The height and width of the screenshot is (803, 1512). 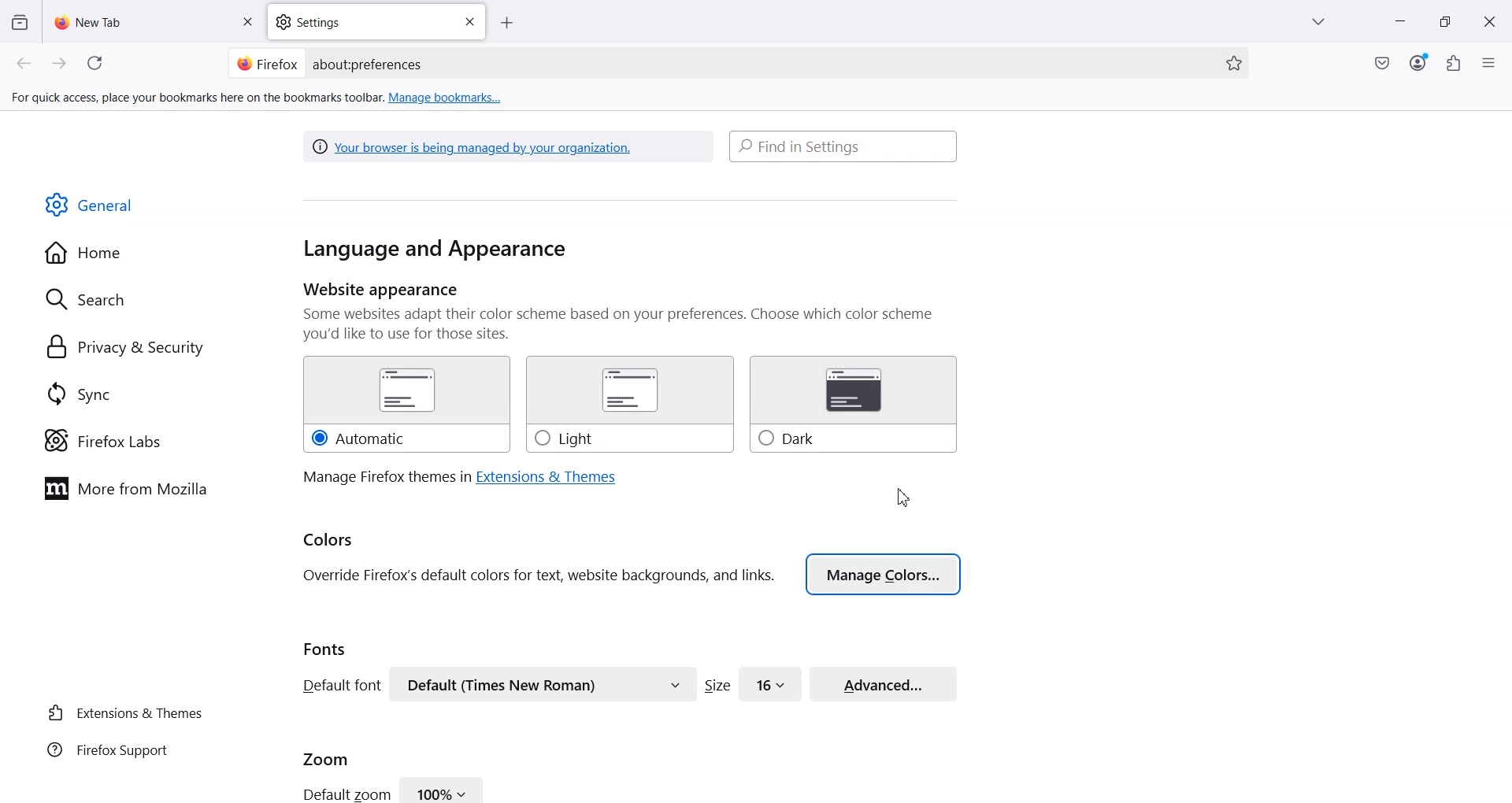 I want to click on Close, so click(x=246, y=23).